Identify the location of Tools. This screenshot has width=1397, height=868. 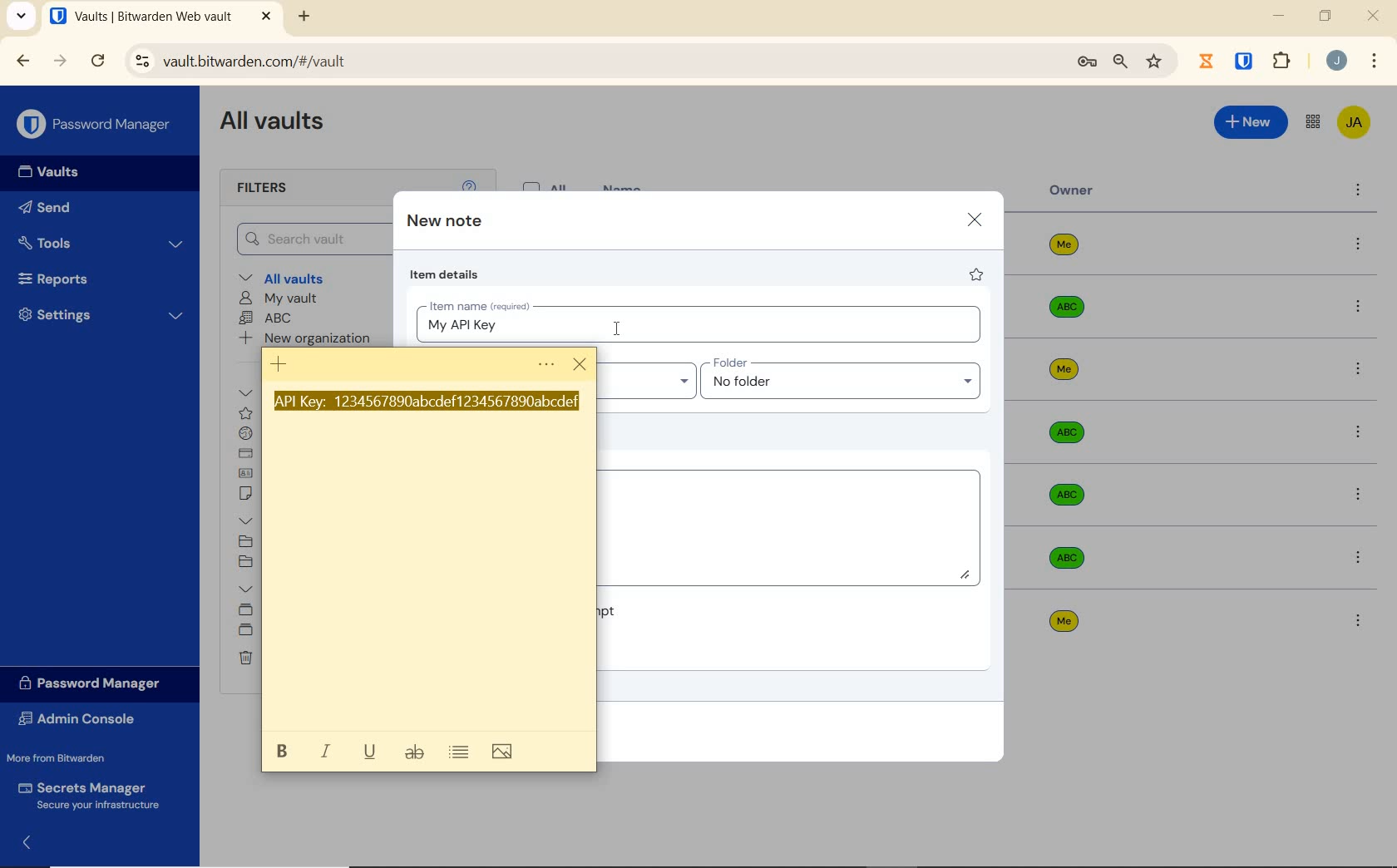
(101, 241).